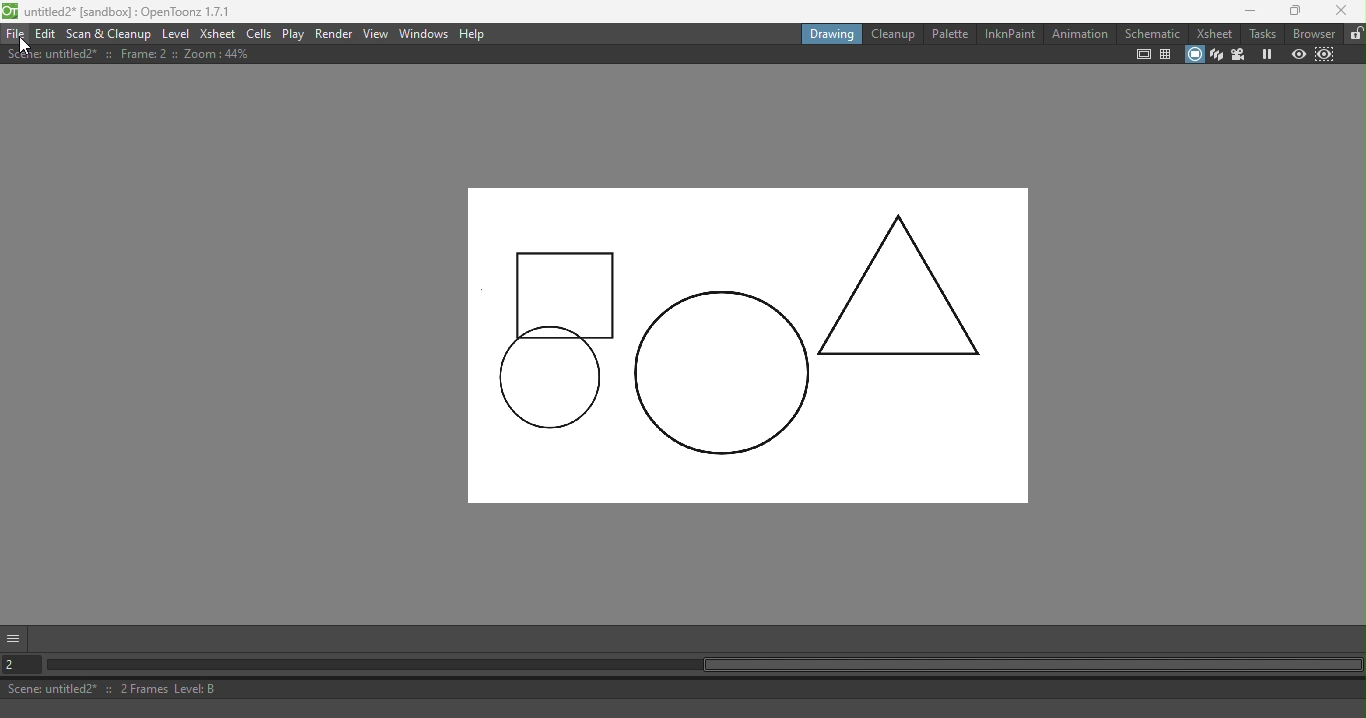 The height and width of the screenshot is (718, 1366). What do you see at coordinates (17, 665) in the screenshot?
I see `Set the current frame` at bounding box center [17, 665].